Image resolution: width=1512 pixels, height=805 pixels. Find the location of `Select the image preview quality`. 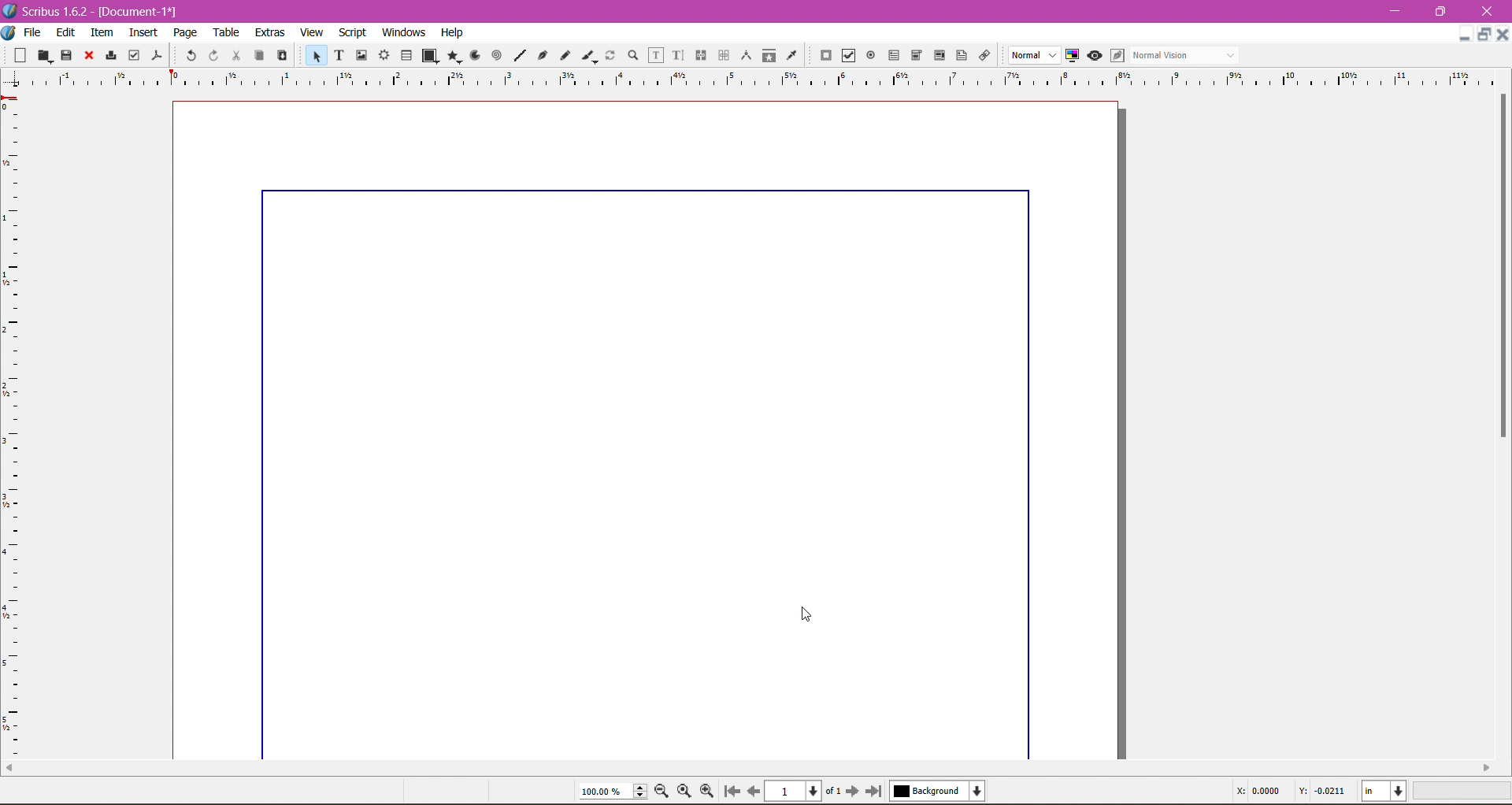

Select the image preview quality is located at coordinates (1032, 55).